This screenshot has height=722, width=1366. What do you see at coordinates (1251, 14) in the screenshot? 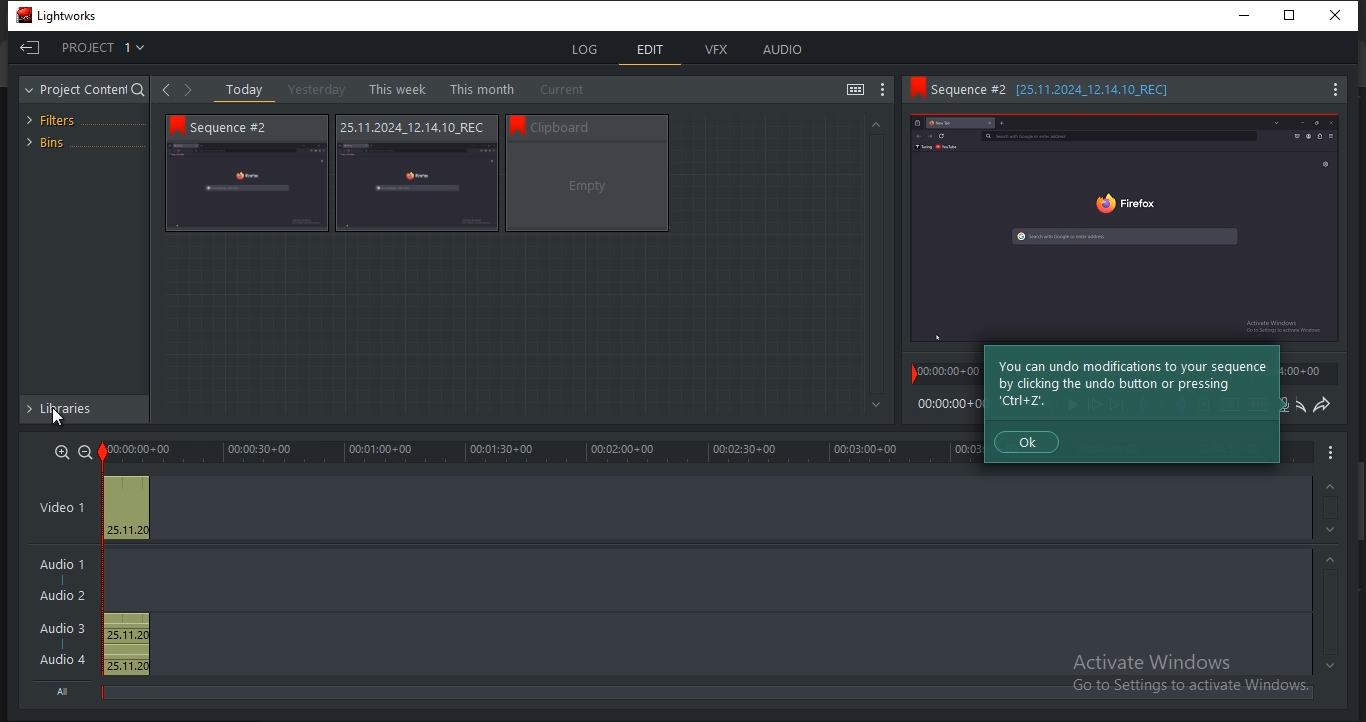
I see `minimize` at bounding box center [1251, 14].